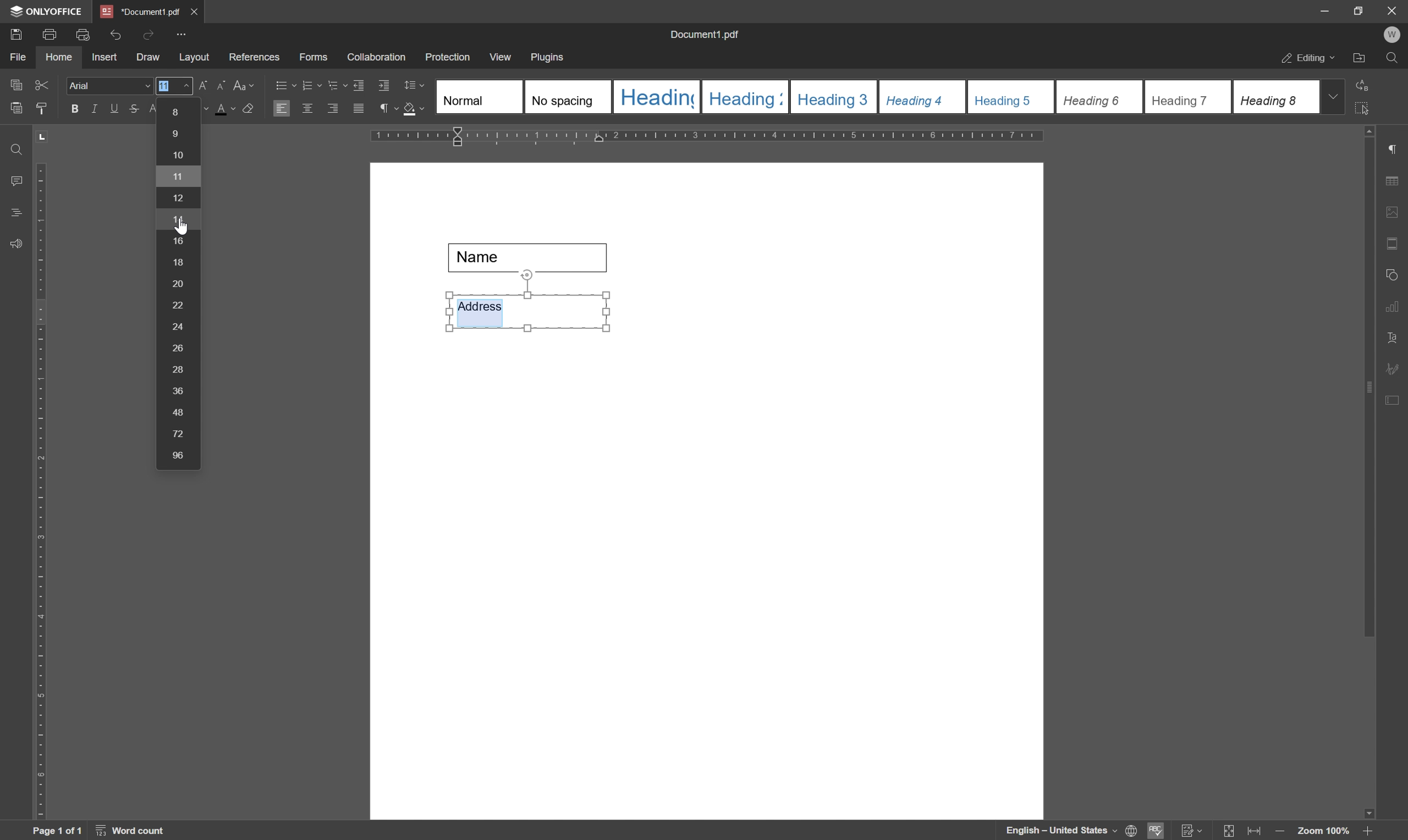 This screenshot has width=1408, height=840. I want to click on bullets, so click(284, 84).